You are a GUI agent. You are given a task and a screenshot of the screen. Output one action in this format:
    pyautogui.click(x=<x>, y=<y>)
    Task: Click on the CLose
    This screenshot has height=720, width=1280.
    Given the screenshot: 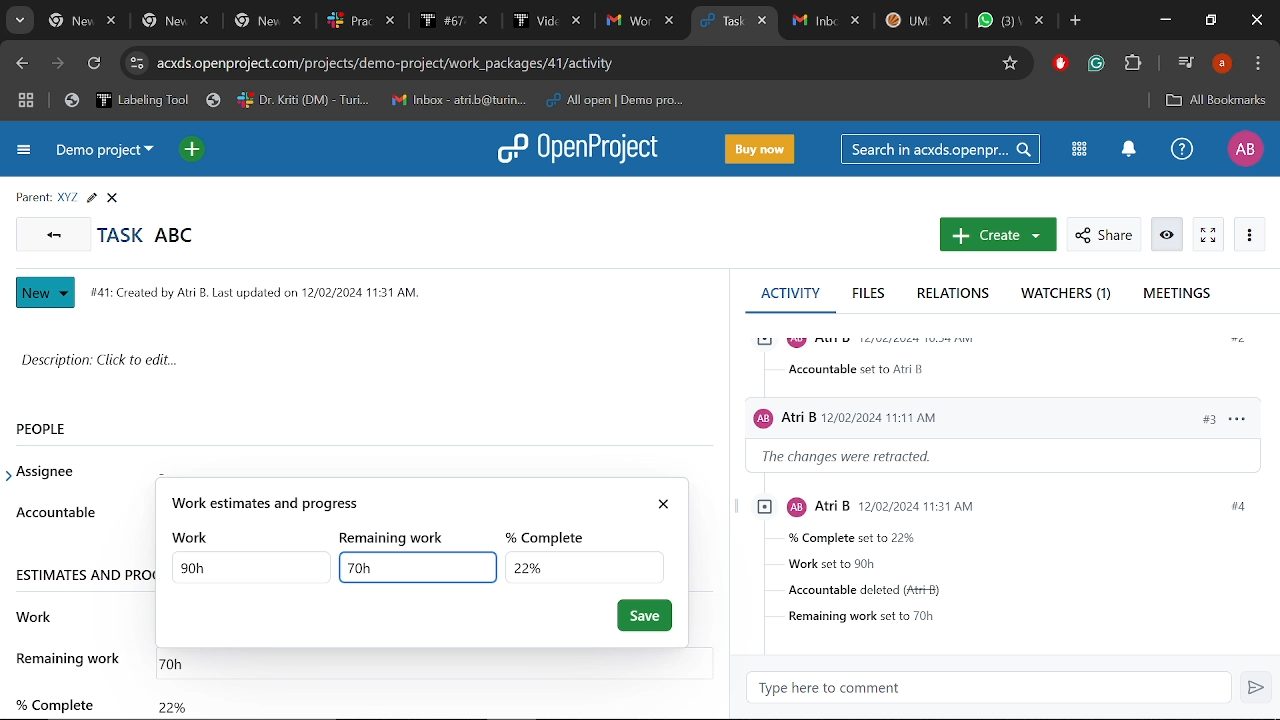 What is the action you would take?
    pyautogui.click(x=115, y=198)
    